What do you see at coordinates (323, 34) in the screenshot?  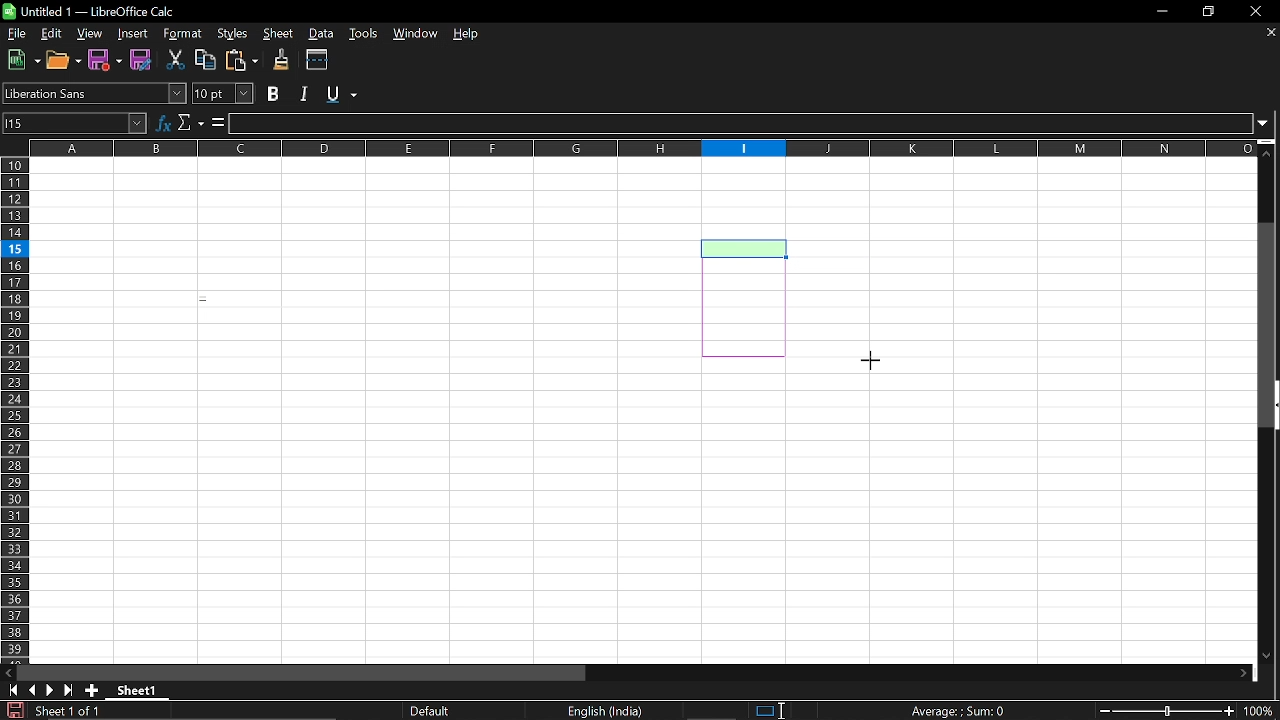 I see `Data` at bounding box center [323, 34].